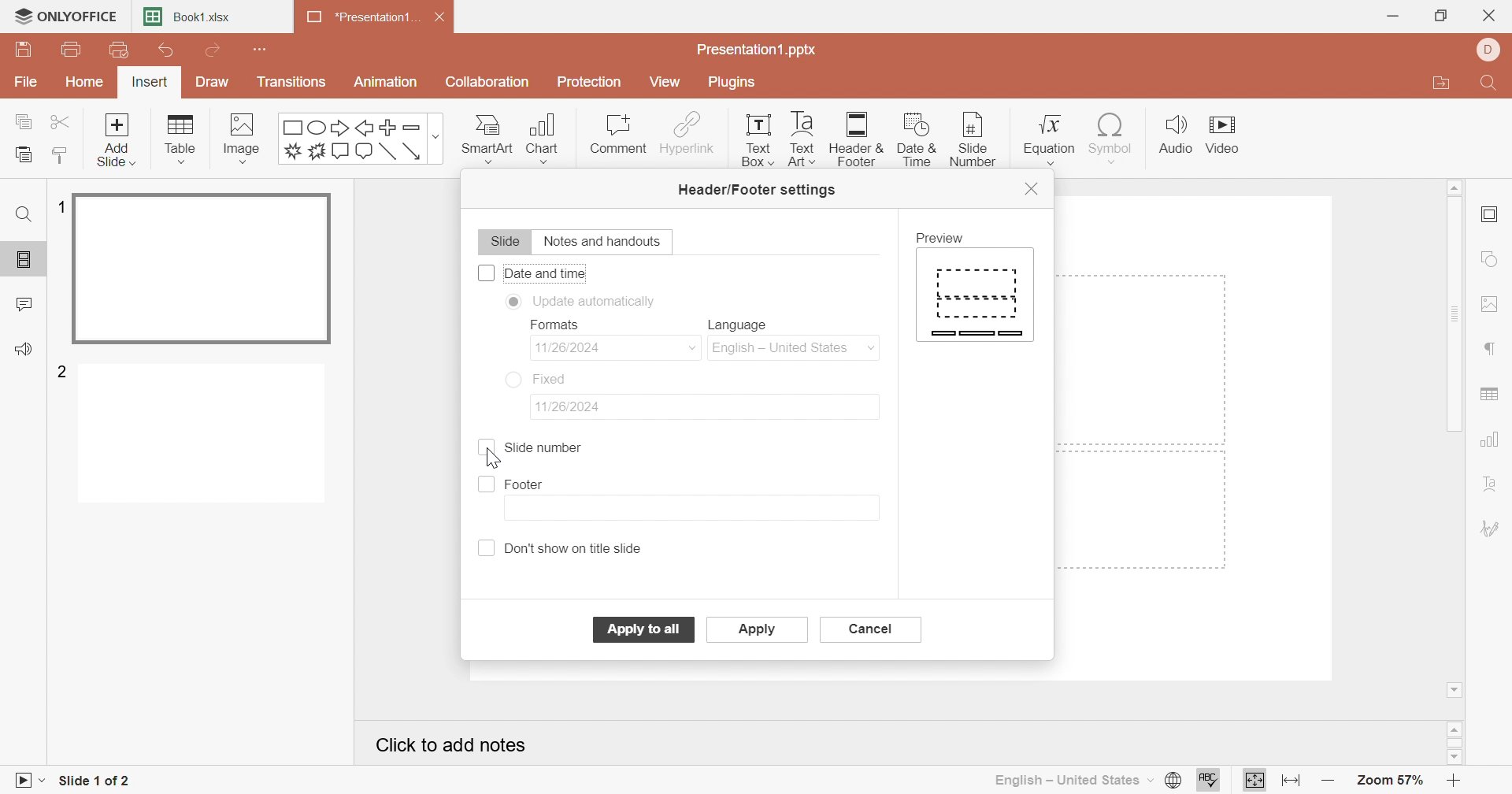  I want to click on Zoom out, so click(1329, 784).